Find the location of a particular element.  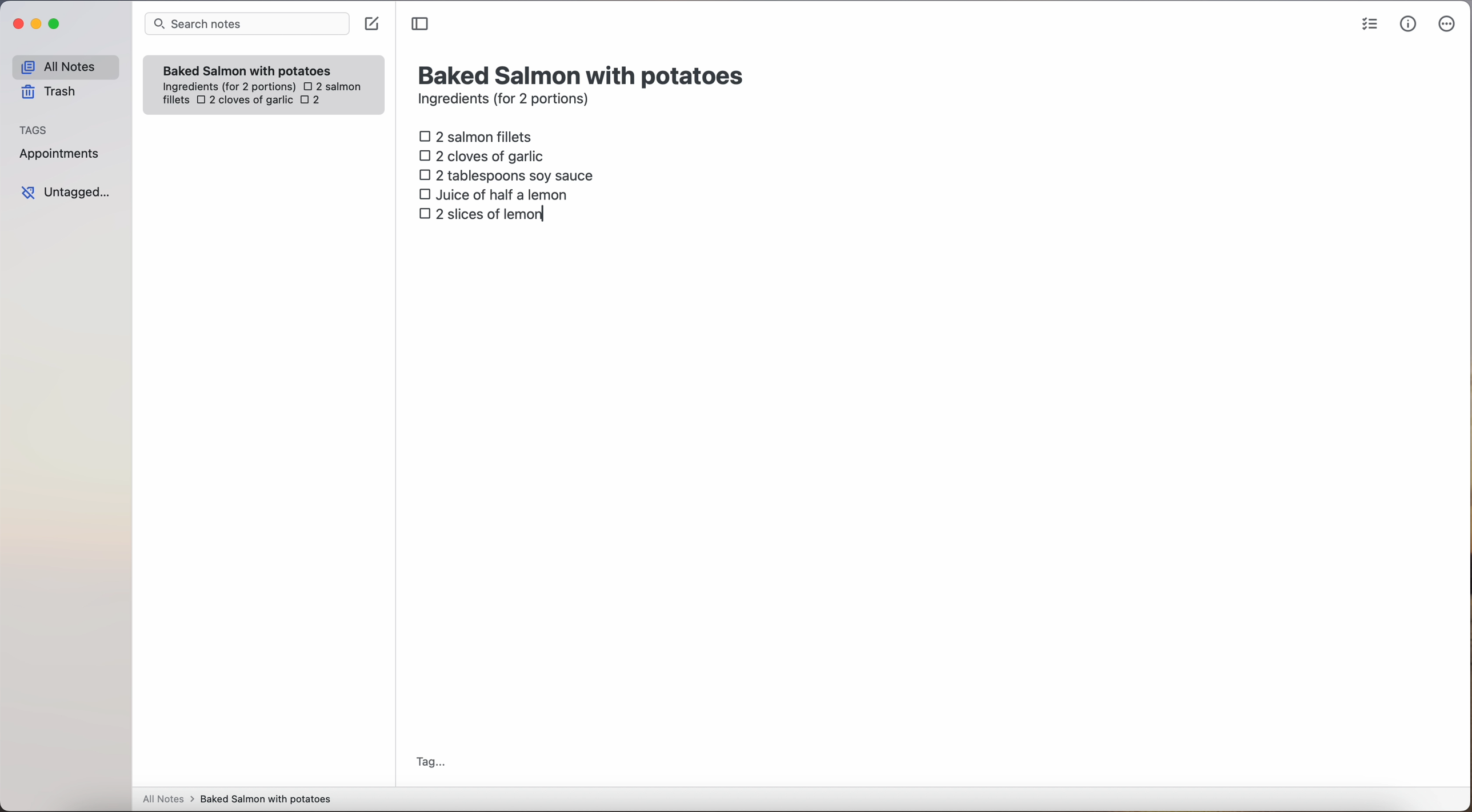

ingredients (for 2 portions) is located at coordinates (507, 101).